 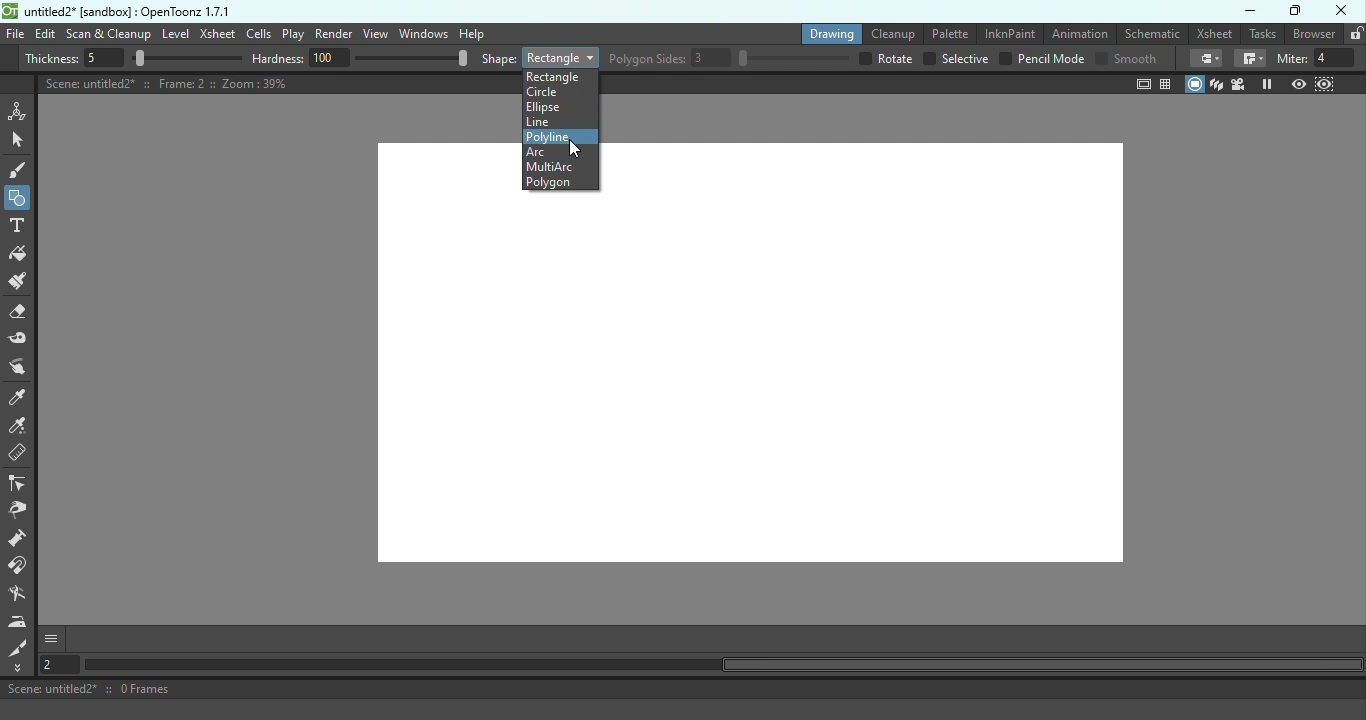 What do you see at coordinates (19, 540) in the screenshot?
I see `Pump tool` at bounding box center [19, 540].